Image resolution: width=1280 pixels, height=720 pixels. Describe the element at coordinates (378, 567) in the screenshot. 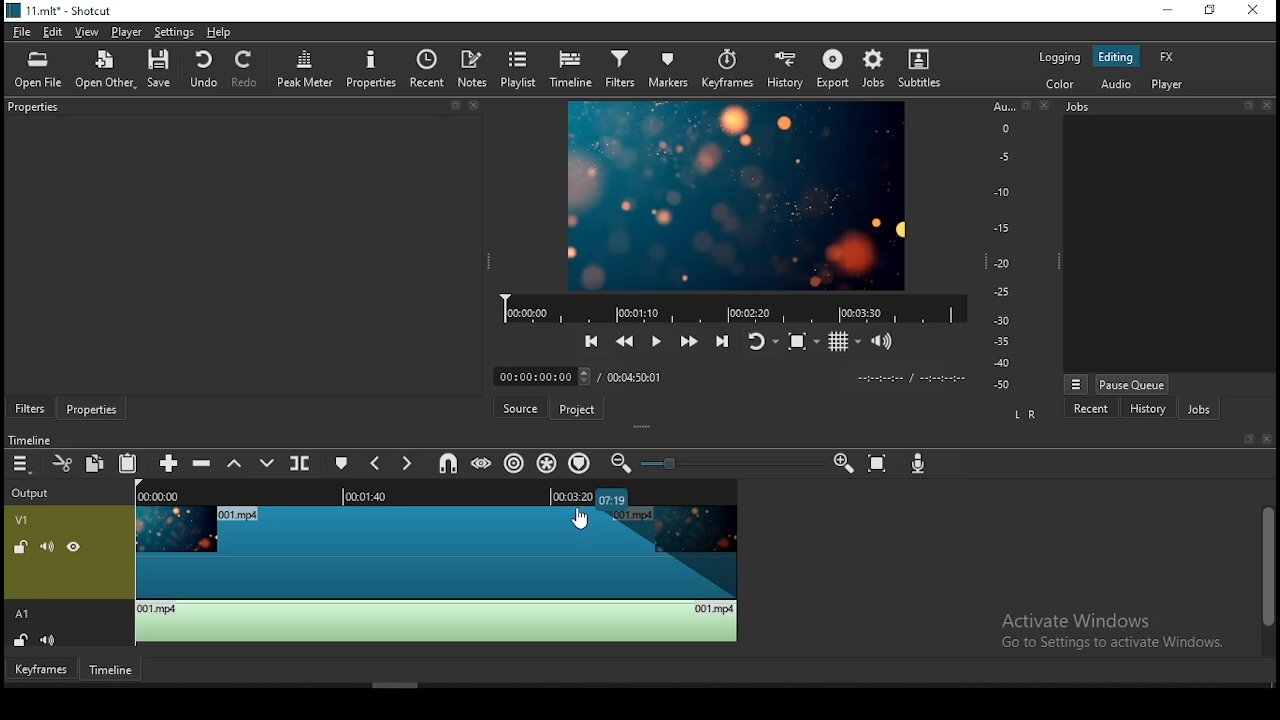

I see `video track` at that location.